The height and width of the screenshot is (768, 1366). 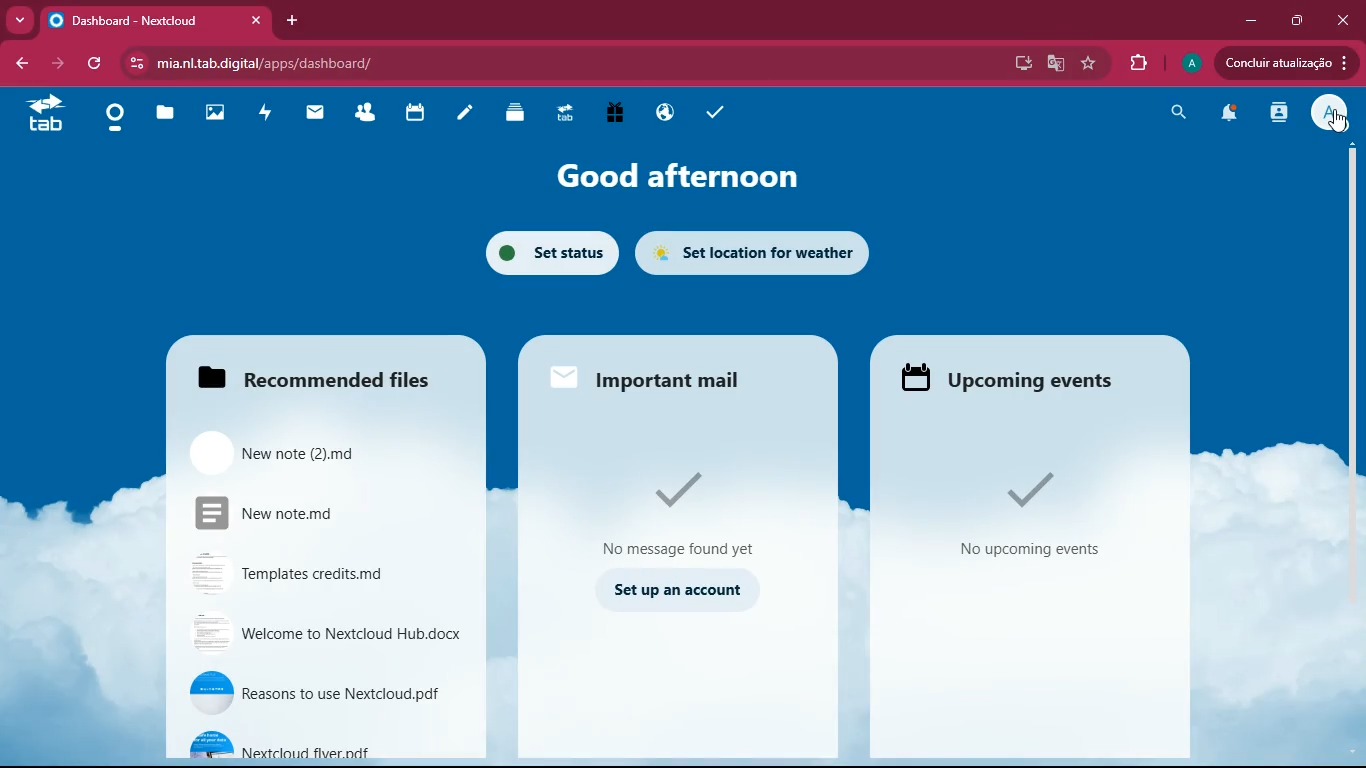 What do you see at coordinates (266, 118) in the screenshot?
I see `activity` at bounding box center [266, 118].